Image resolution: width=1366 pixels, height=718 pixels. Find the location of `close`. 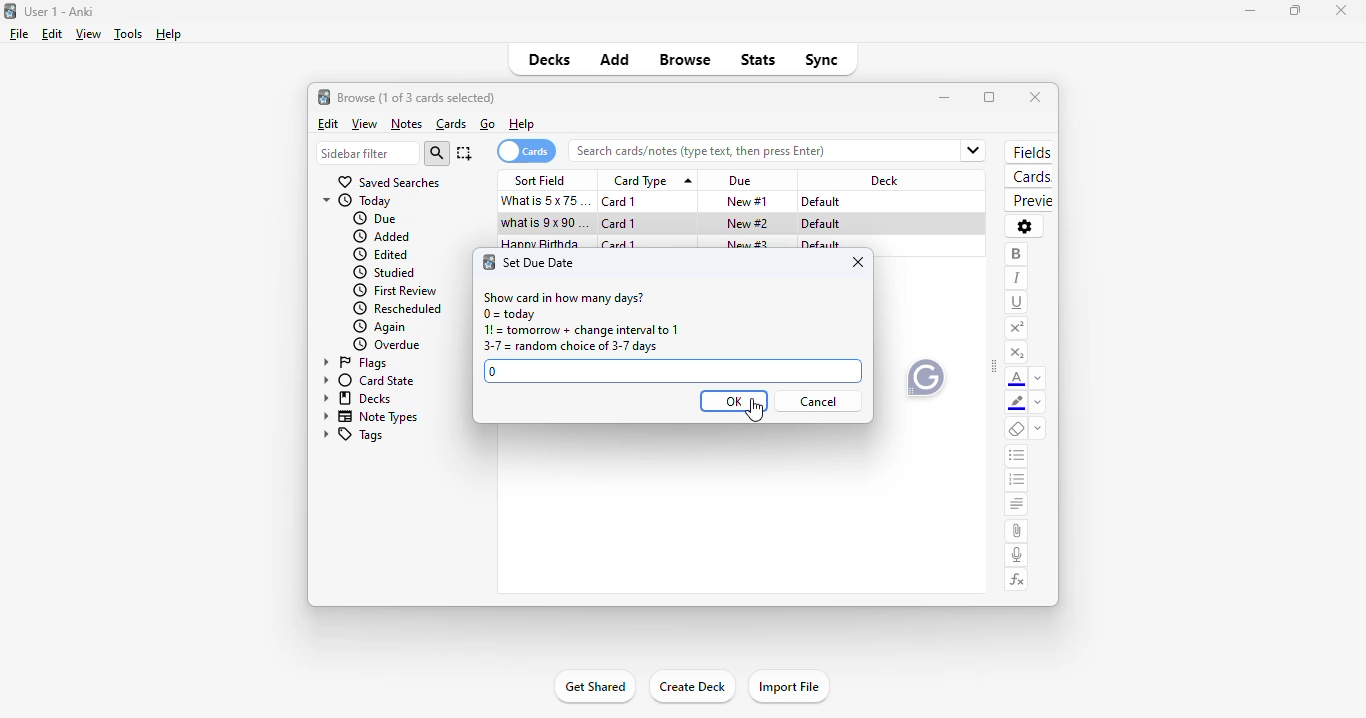

close is located at coordinates (1343, 11).